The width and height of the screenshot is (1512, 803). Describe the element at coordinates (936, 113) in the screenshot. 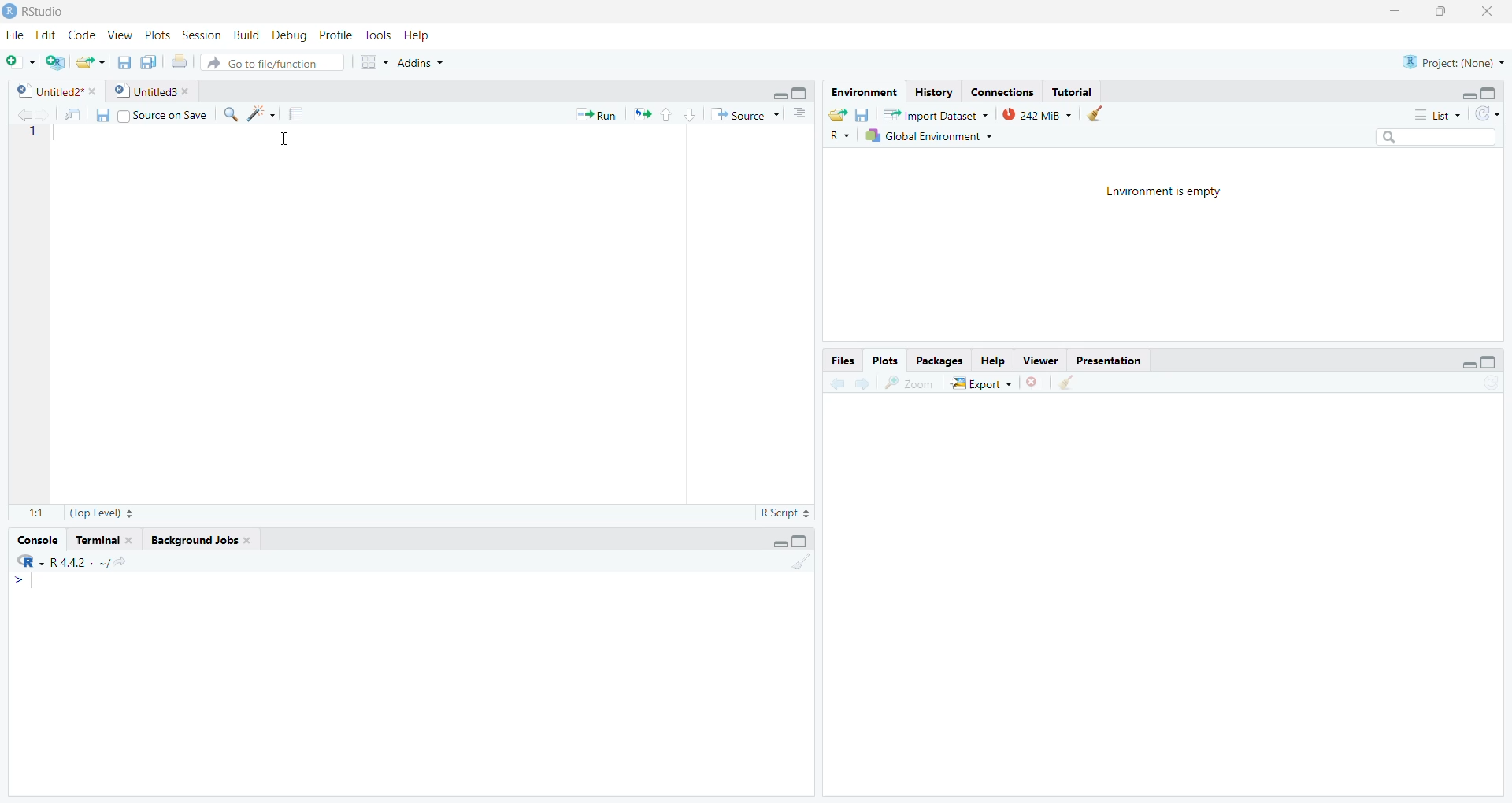

I see `Import Dataset ` at that location.